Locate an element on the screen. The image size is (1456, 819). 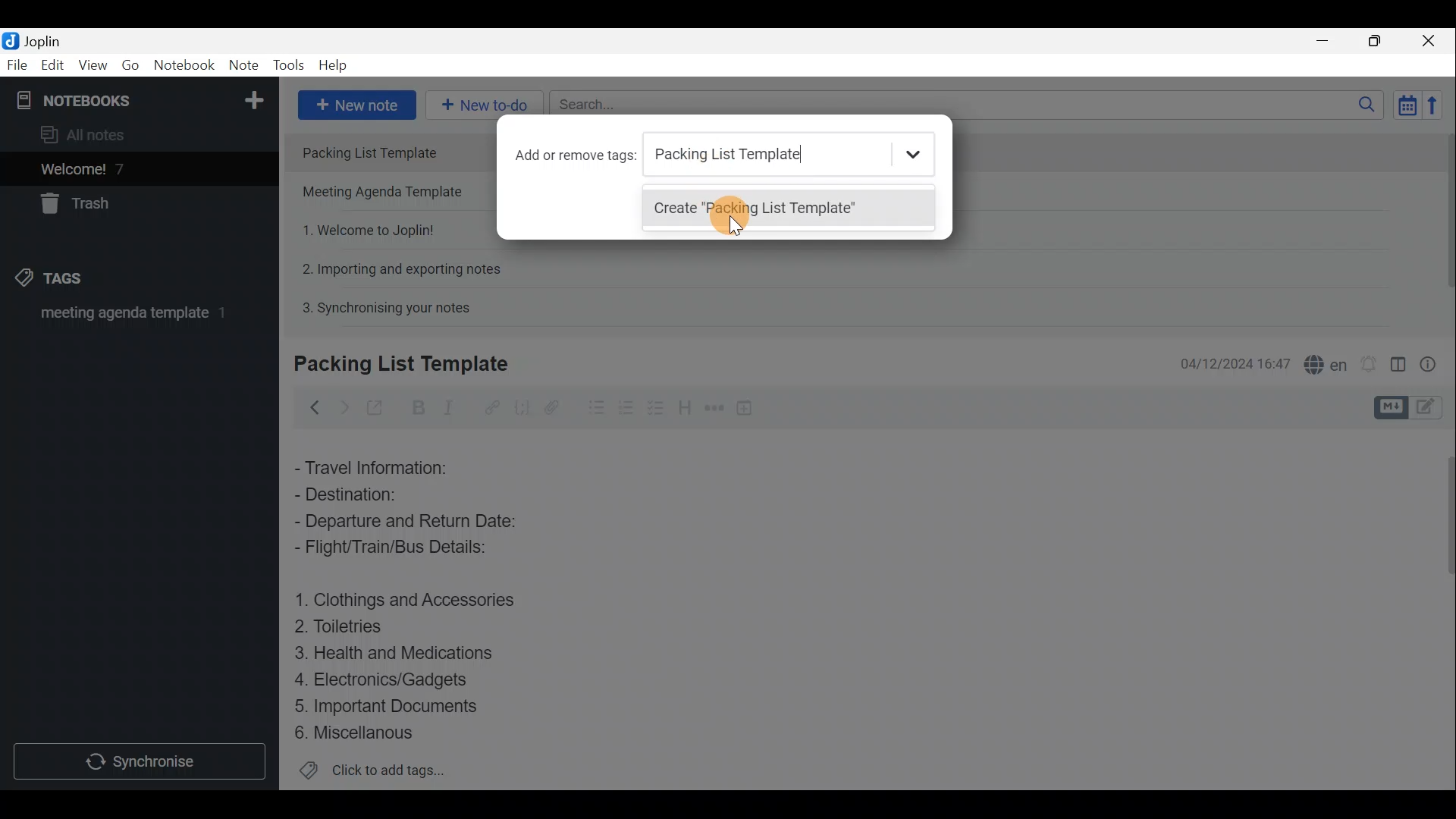
New note is located at coordinates (356, 103).